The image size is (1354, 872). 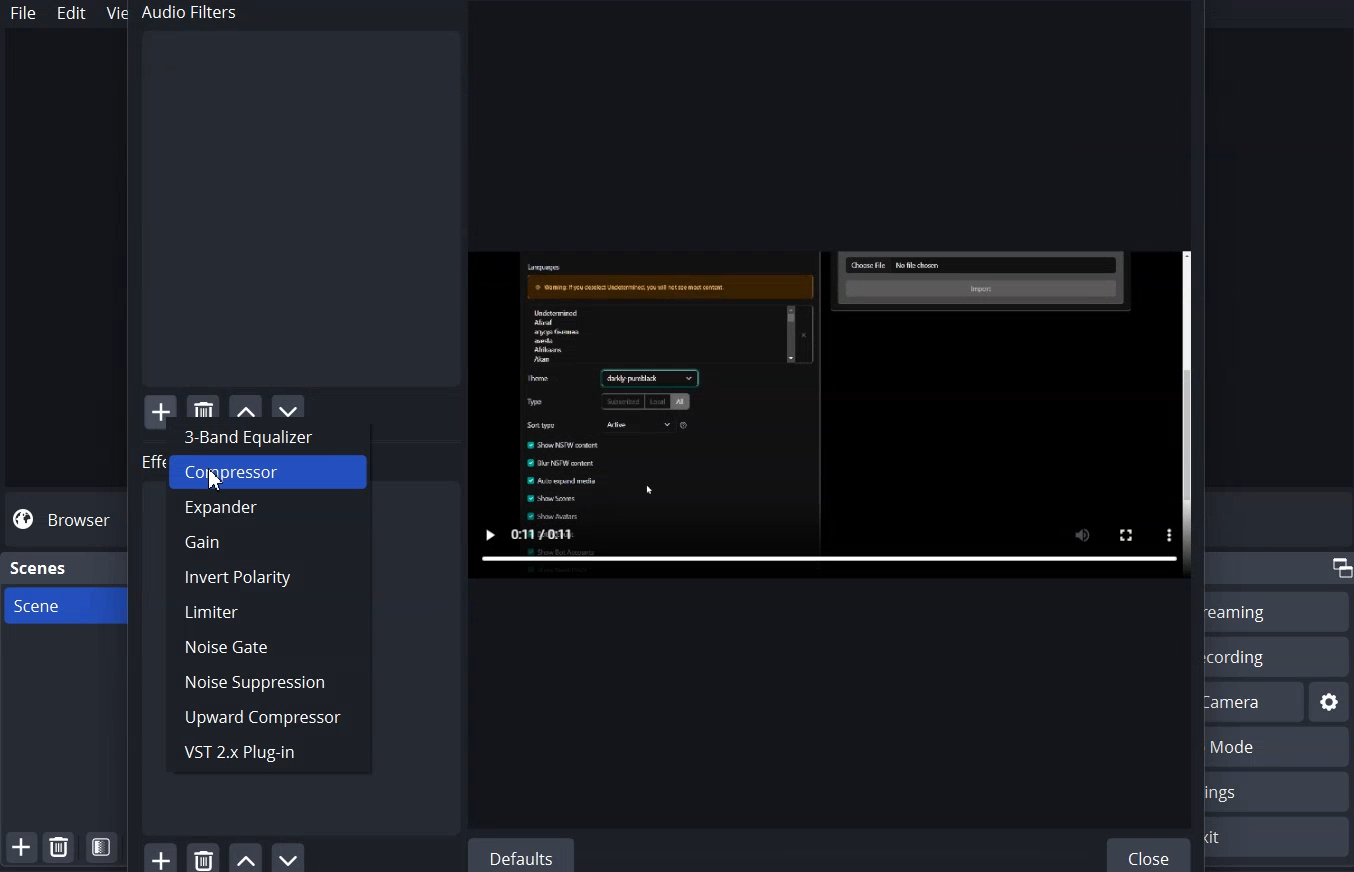 What do you see at coordinates (830, 415) in the screenshot?
I see `File Preview` at bounding box center [830, 415].